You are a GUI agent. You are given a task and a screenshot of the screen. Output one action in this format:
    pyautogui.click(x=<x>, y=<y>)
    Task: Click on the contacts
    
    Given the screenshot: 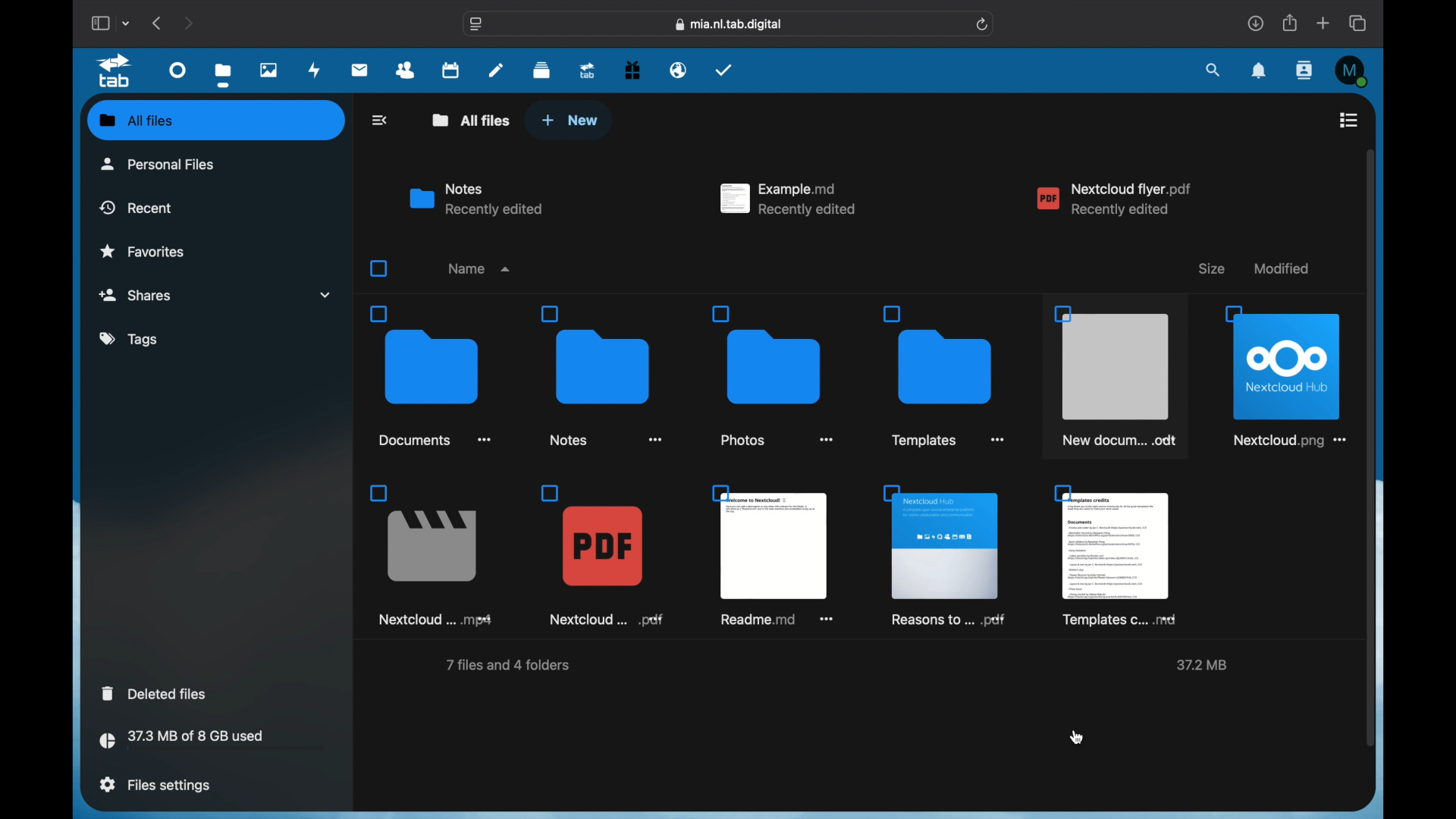 What is the action you would take?
    pyautogui.click(x=406, y=71)
    